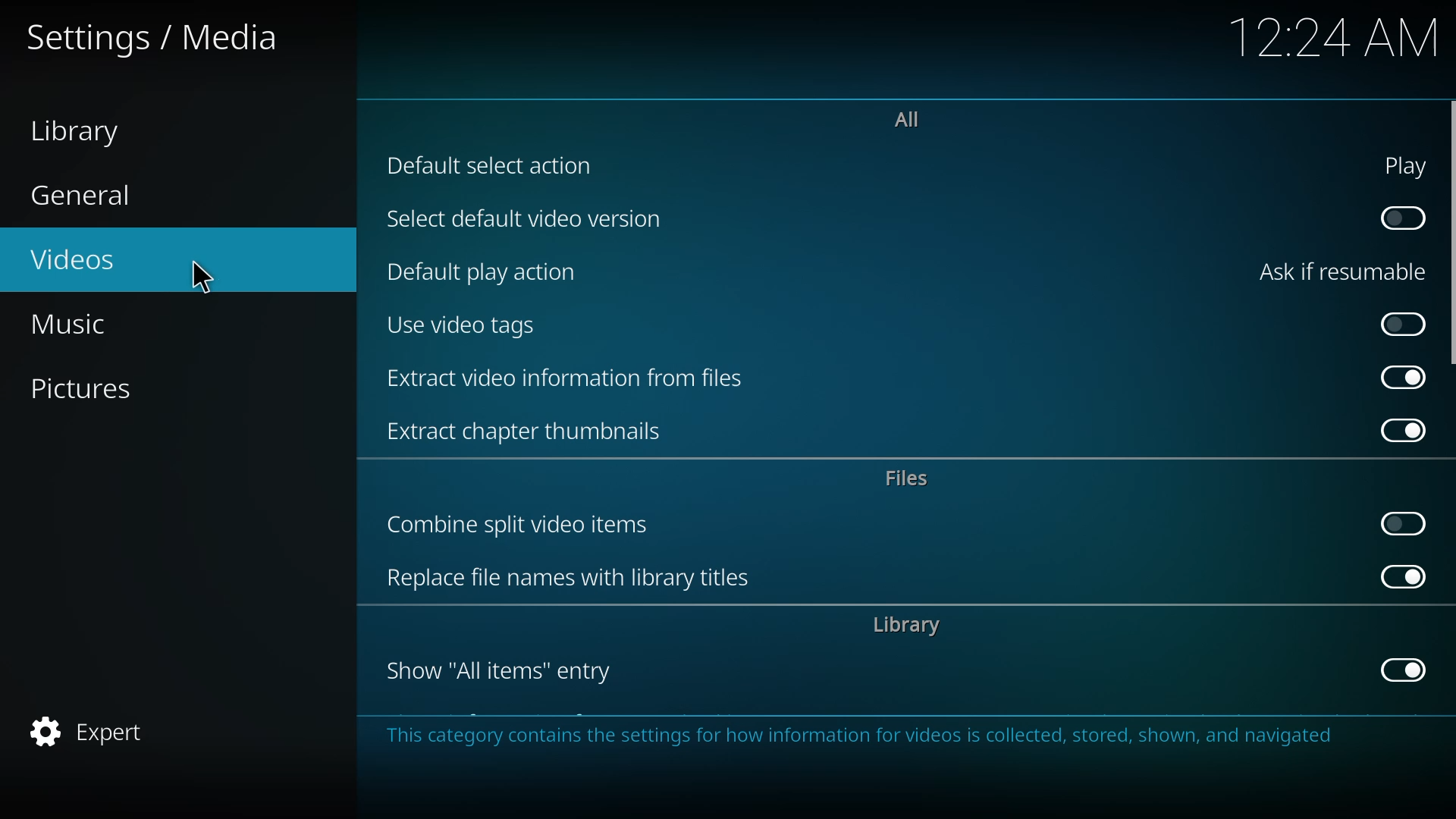  Describe the element at coordinates (570, 377) in the screenshot. I see `extract video info from files` at that location.